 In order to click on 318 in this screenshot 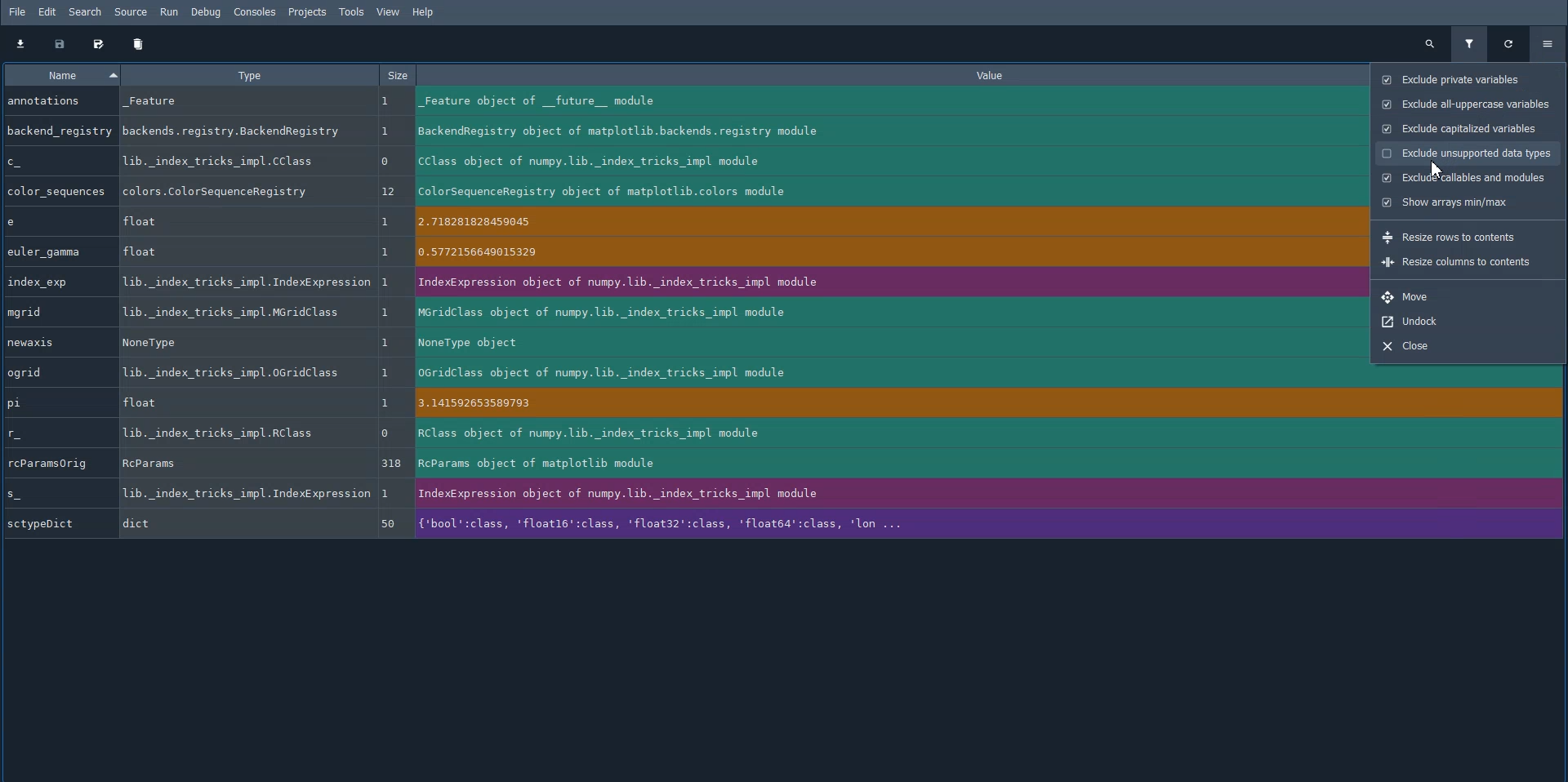, I will do `click(394, 464)`.